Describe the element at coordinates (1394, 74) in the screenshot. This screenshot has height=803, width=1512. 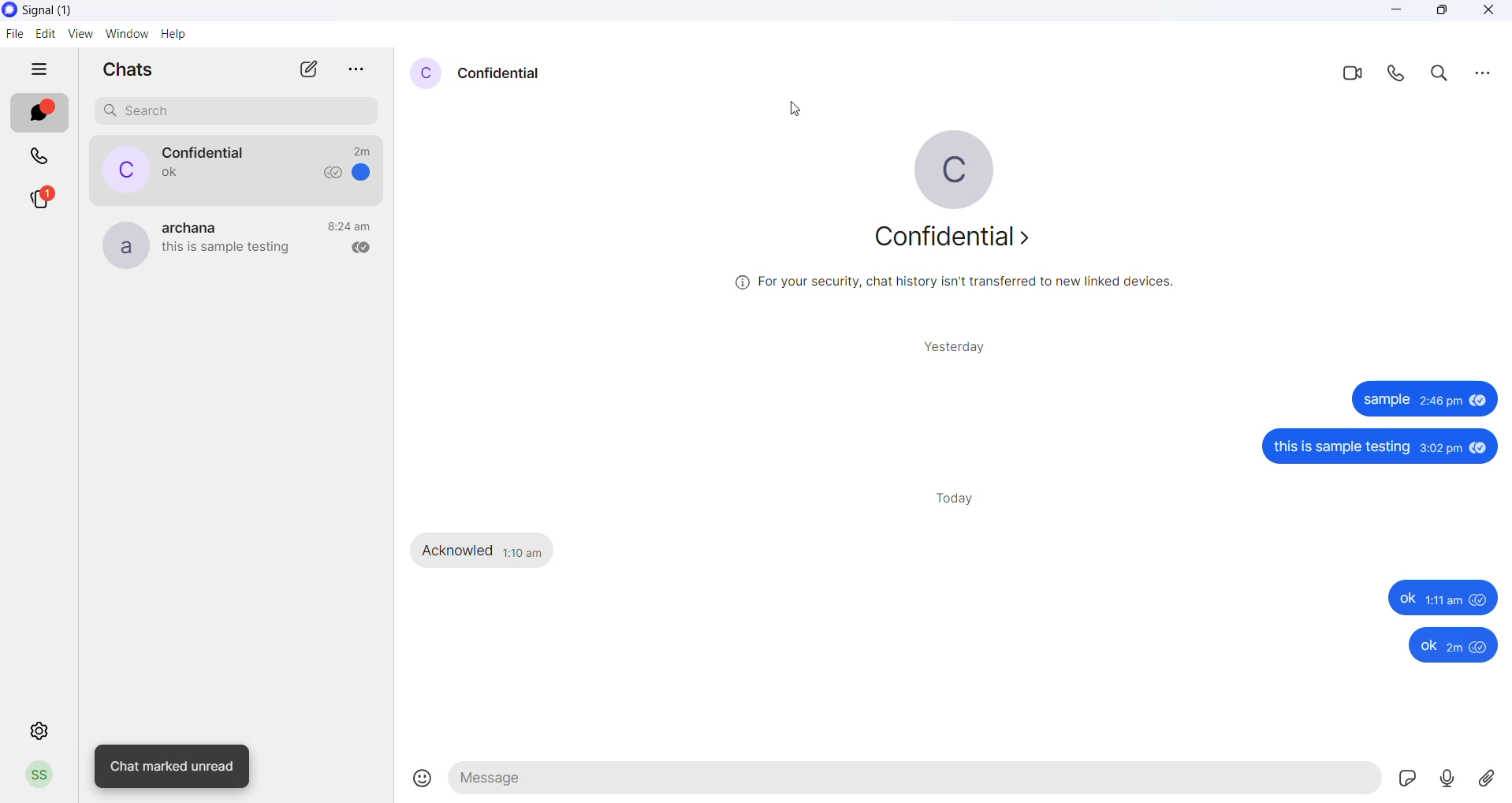
I see `voice call` at that location.